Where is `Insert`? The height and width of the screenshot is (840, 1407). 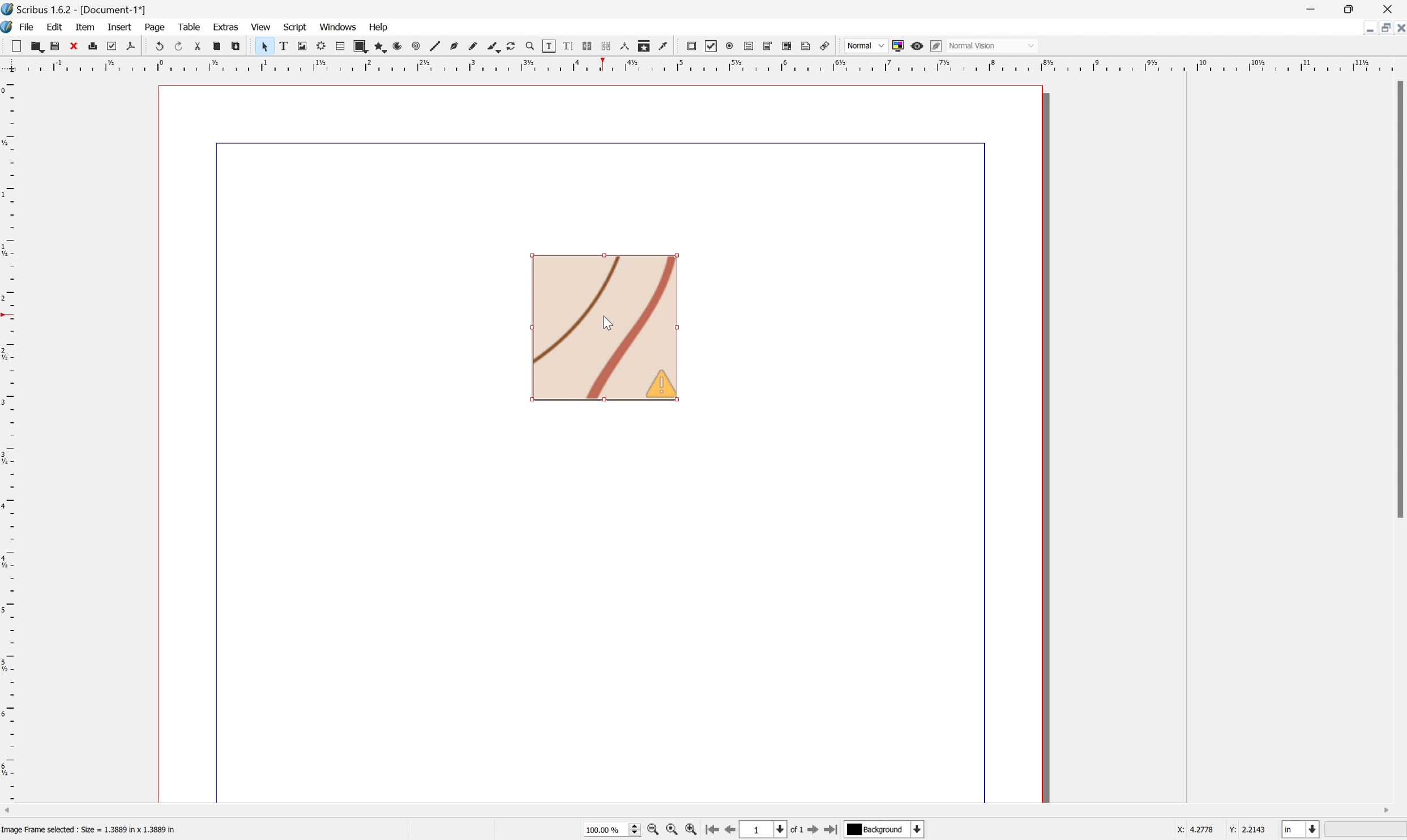
Insert is located at coordinates (119, 27).